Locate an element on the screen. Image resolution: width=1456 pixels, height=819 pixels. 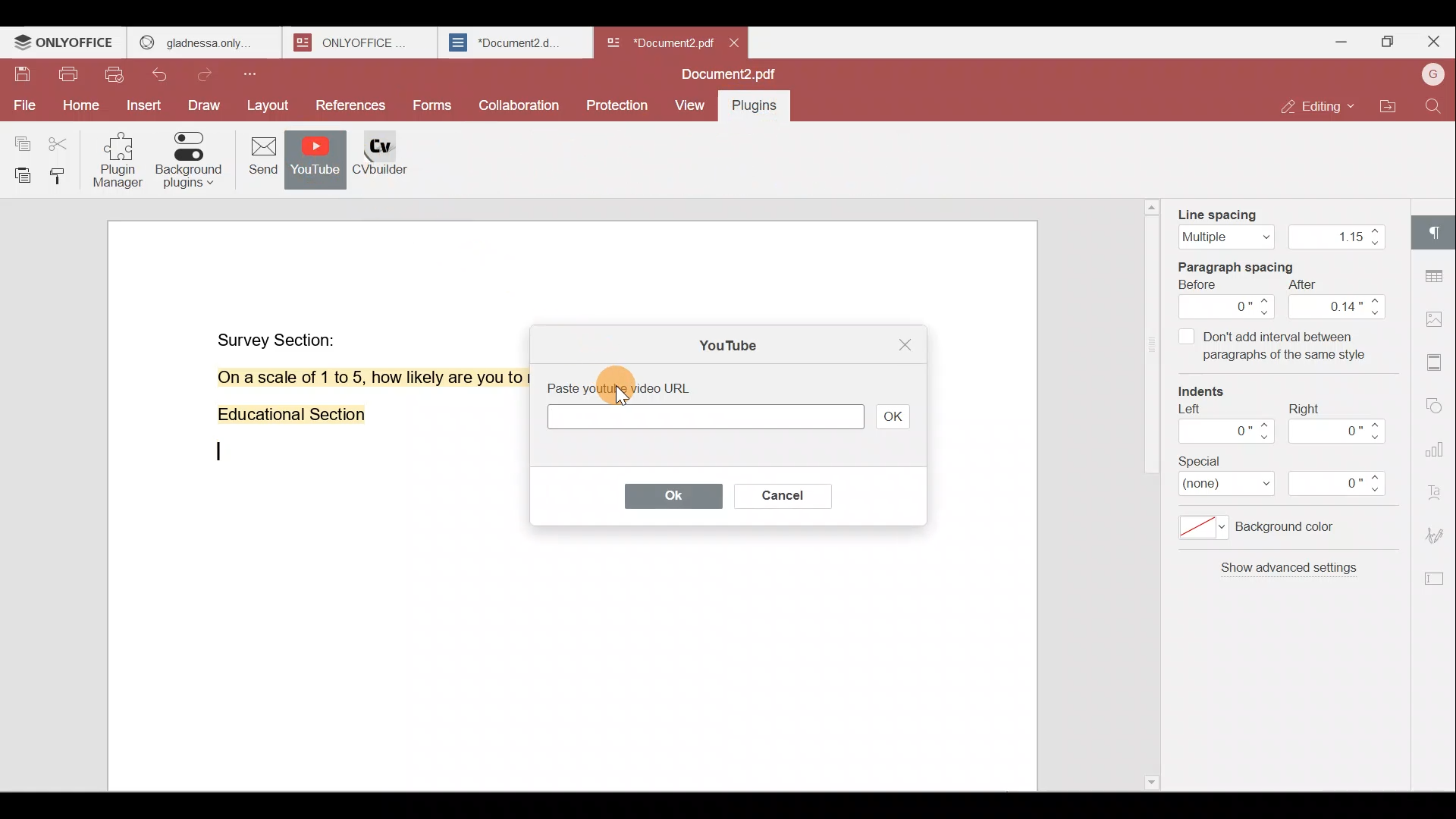
YouTube is located at coordinates (723, 343).